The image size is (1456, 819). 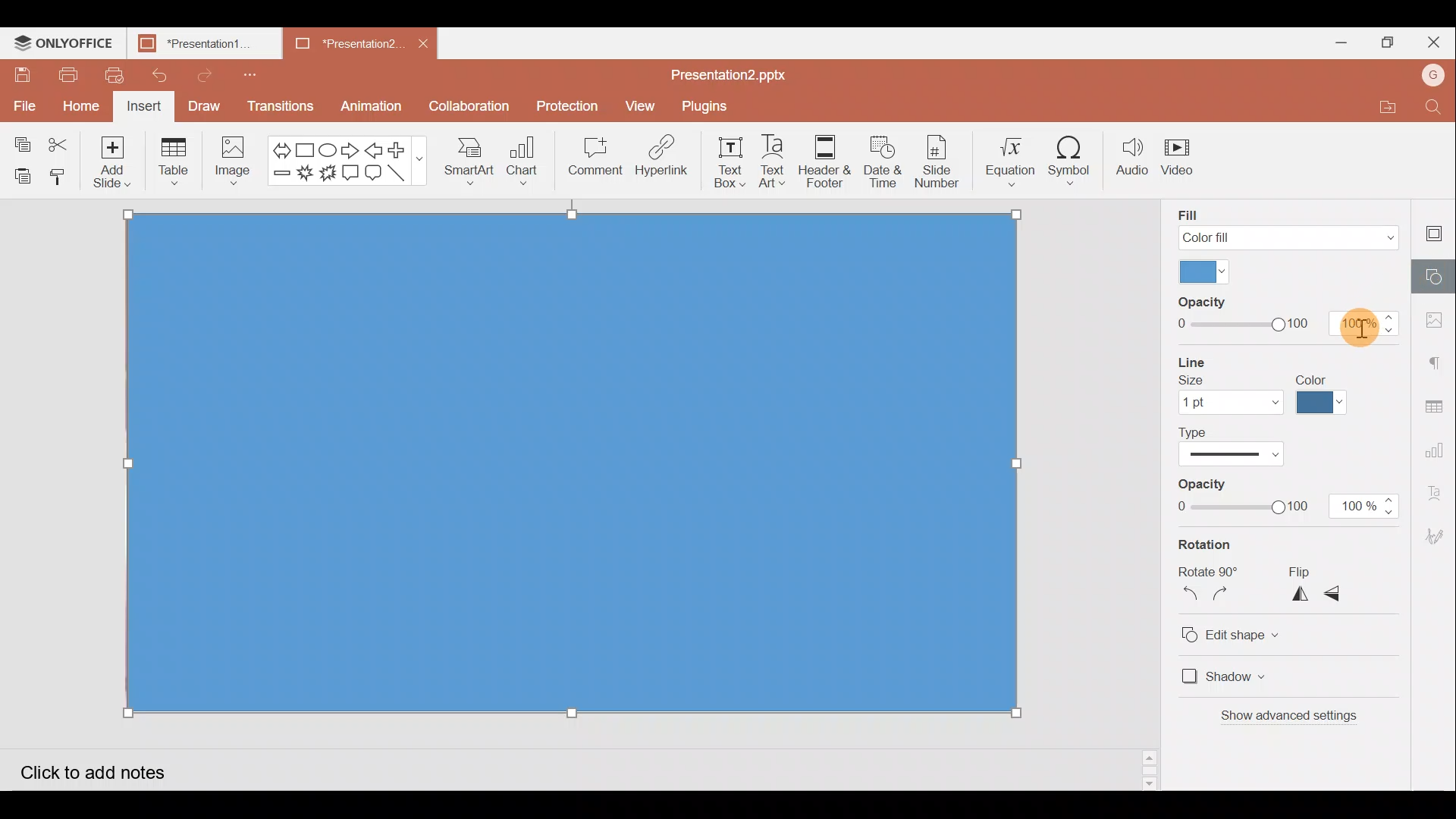 I want to click on Presentation2., so click(x=337, y=44).